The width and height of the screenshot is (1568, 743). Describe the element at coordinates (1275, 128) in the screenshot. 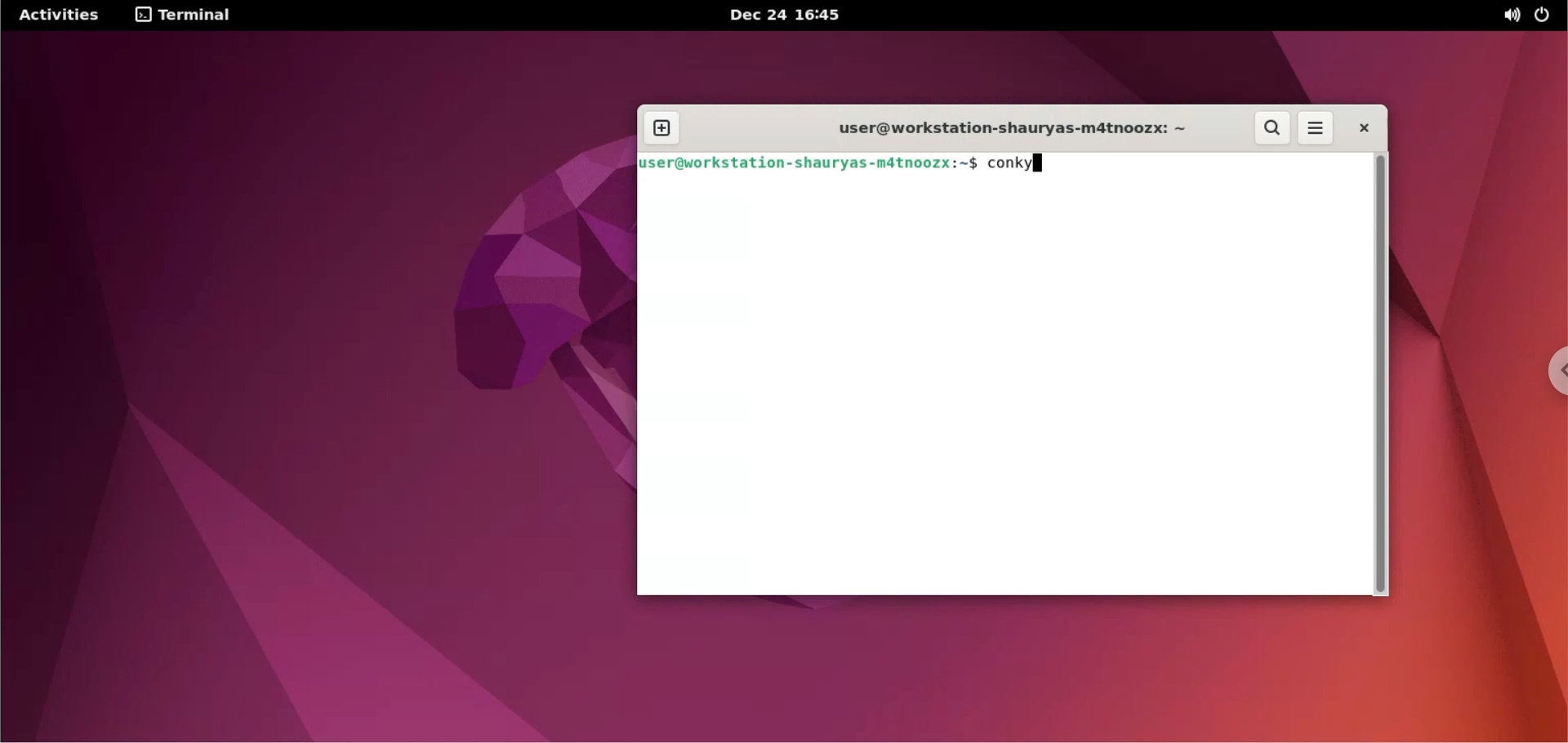

I see `search ` at that location.